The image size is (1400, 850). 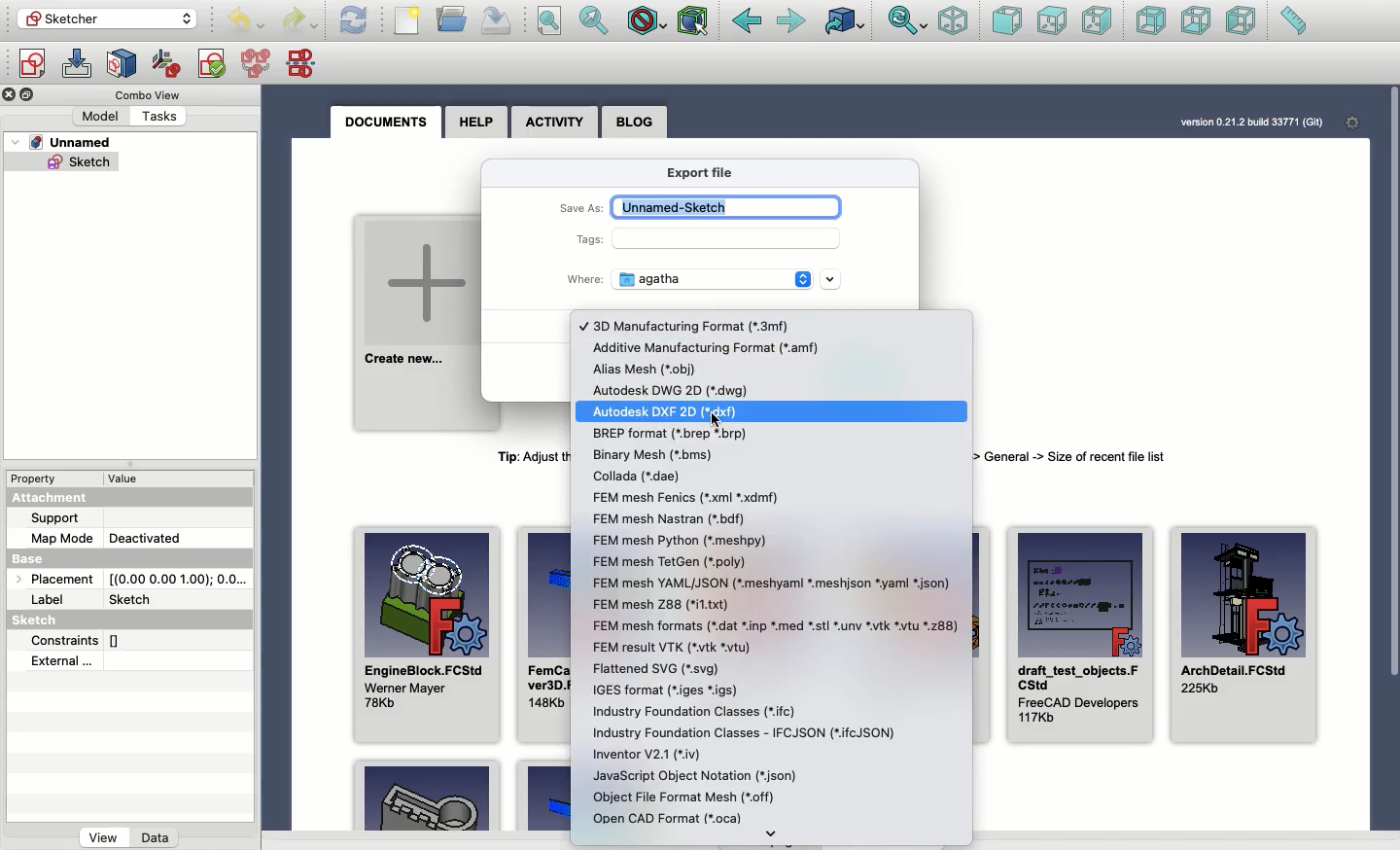 What do you see at coordinates (730, 279) in the screenshot?
I see `Agatha - location` at bounding box center [730, 279].